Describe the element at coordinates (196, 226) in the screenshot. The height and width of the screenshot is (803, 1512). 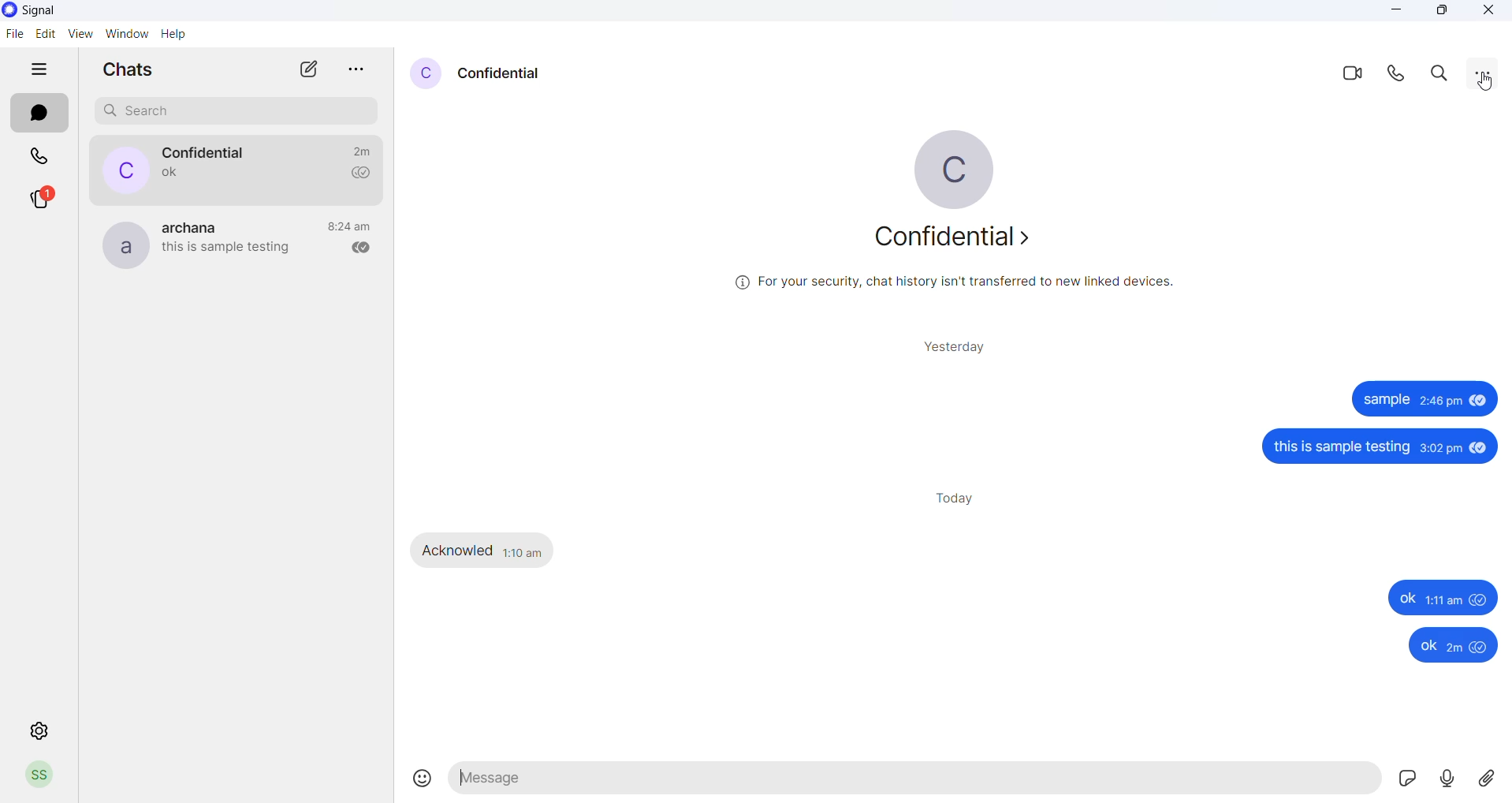
I see `contact name` at that location.